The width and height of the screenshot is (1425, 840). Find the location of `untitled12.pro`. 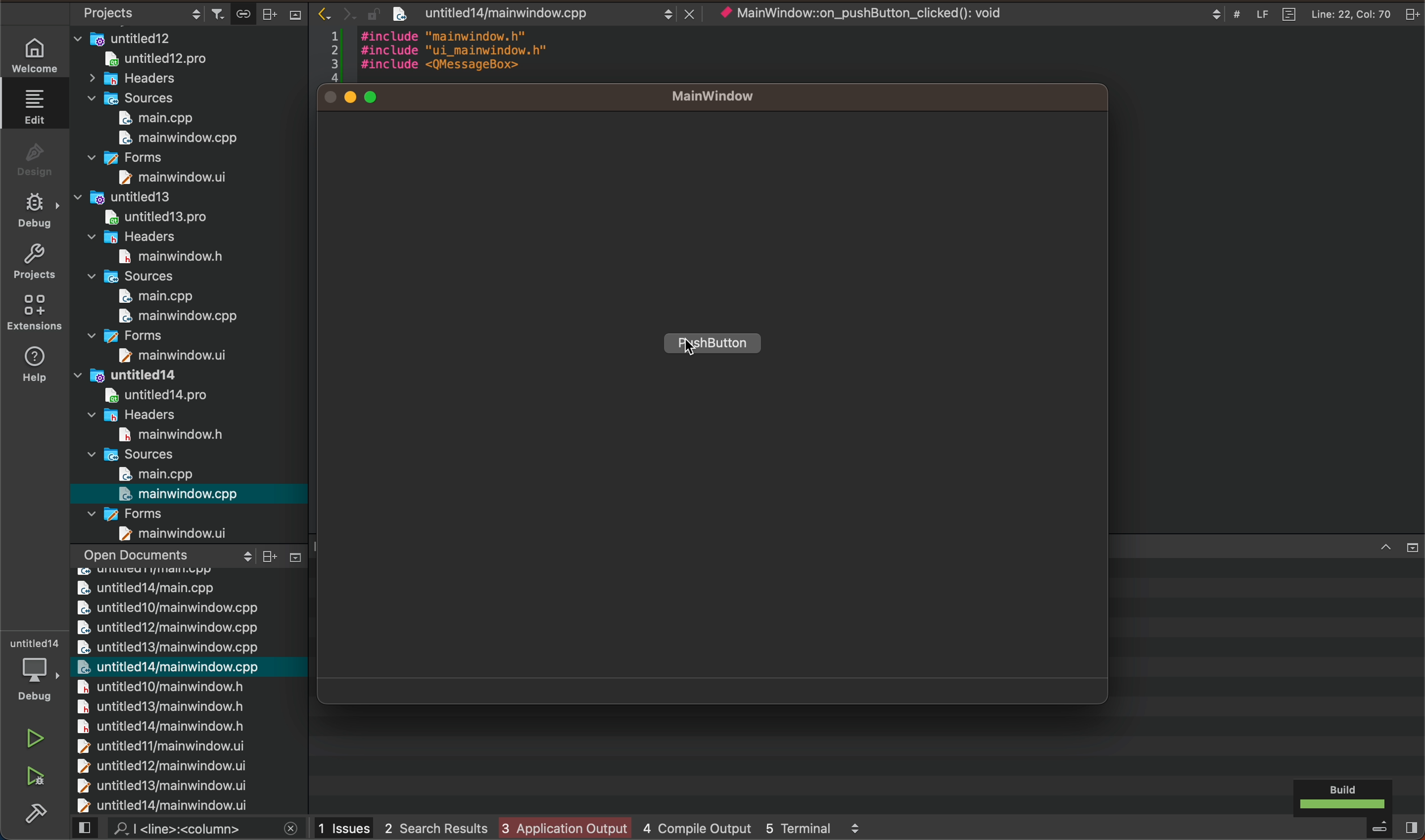

untitled12.pro is located at coordinates (180, 60).